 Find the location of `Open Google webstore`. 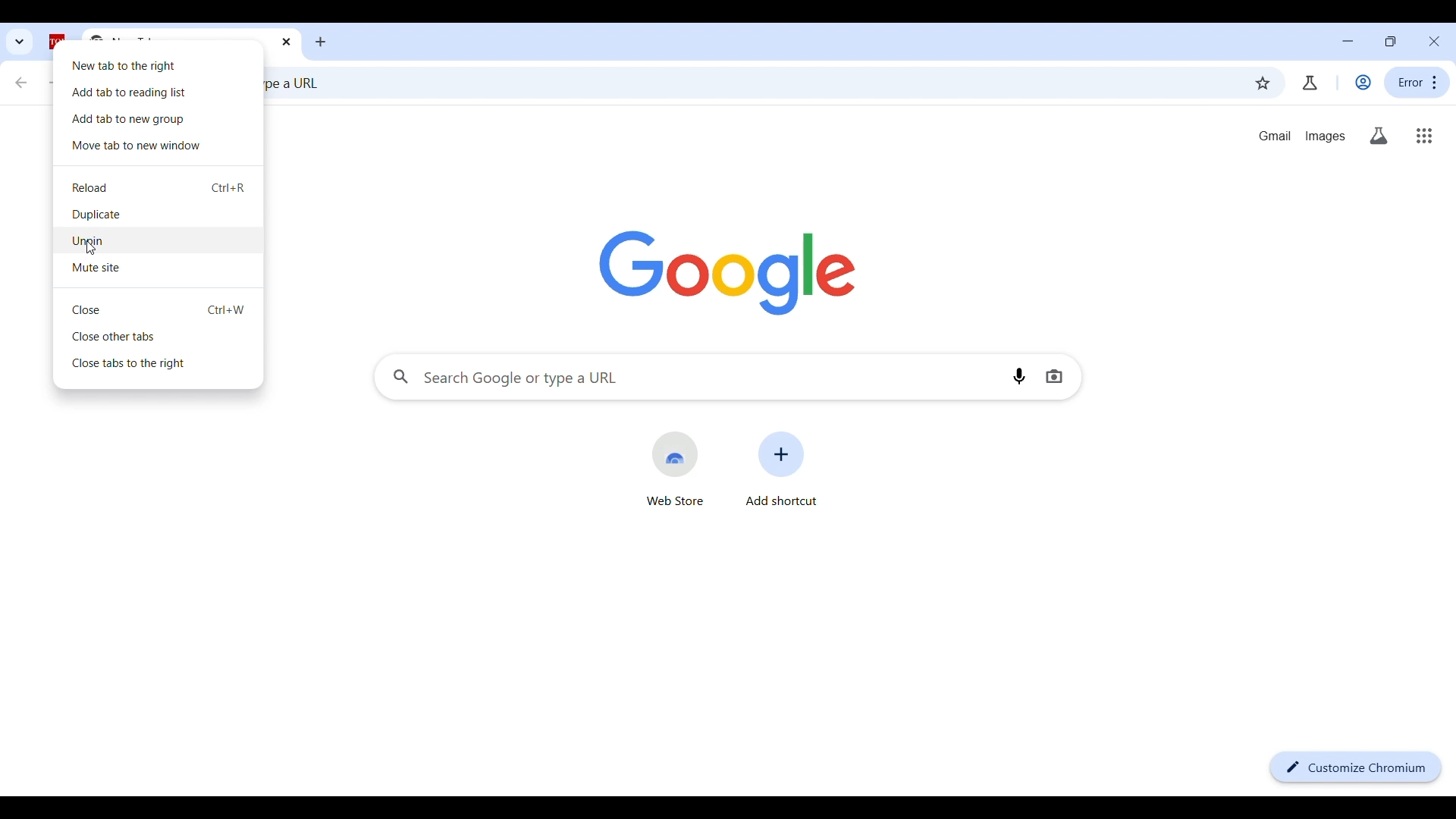

Open Google webstore is located at coordinates (676, 469).